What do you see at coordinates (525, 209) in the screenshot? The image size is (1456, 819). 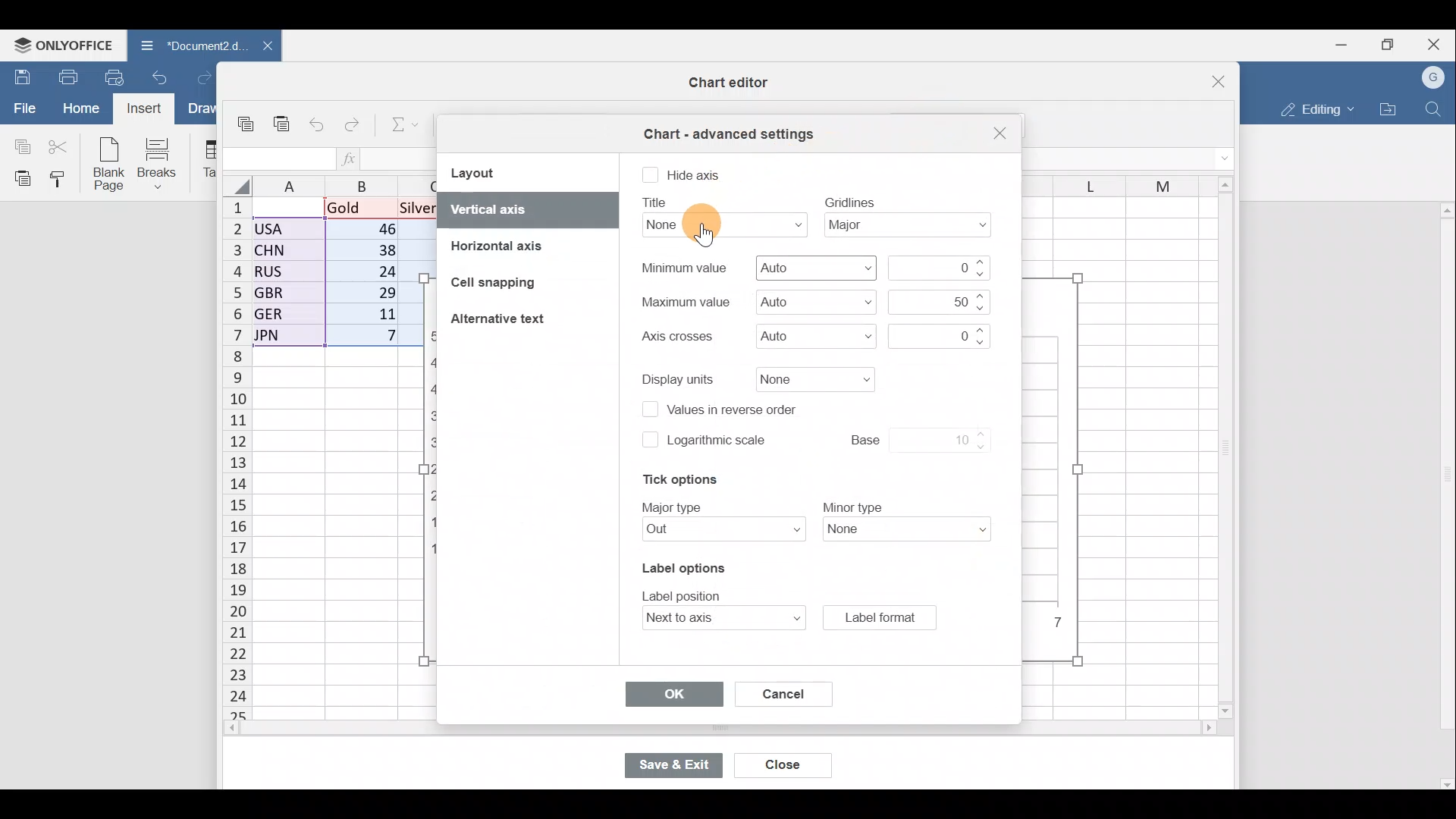 I see `Vertical axis` at bounding box center [525, 209].